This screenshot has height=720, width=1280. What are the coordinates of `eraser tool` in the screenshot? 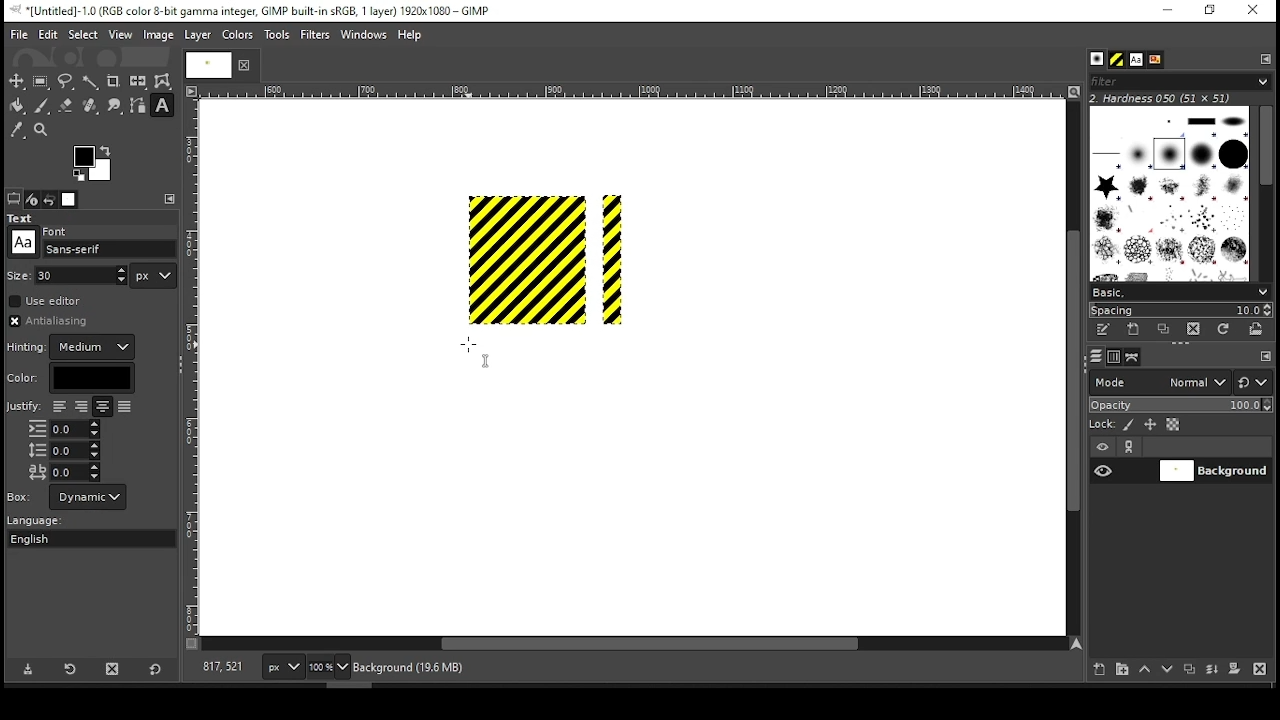 It's located at (65, 105).